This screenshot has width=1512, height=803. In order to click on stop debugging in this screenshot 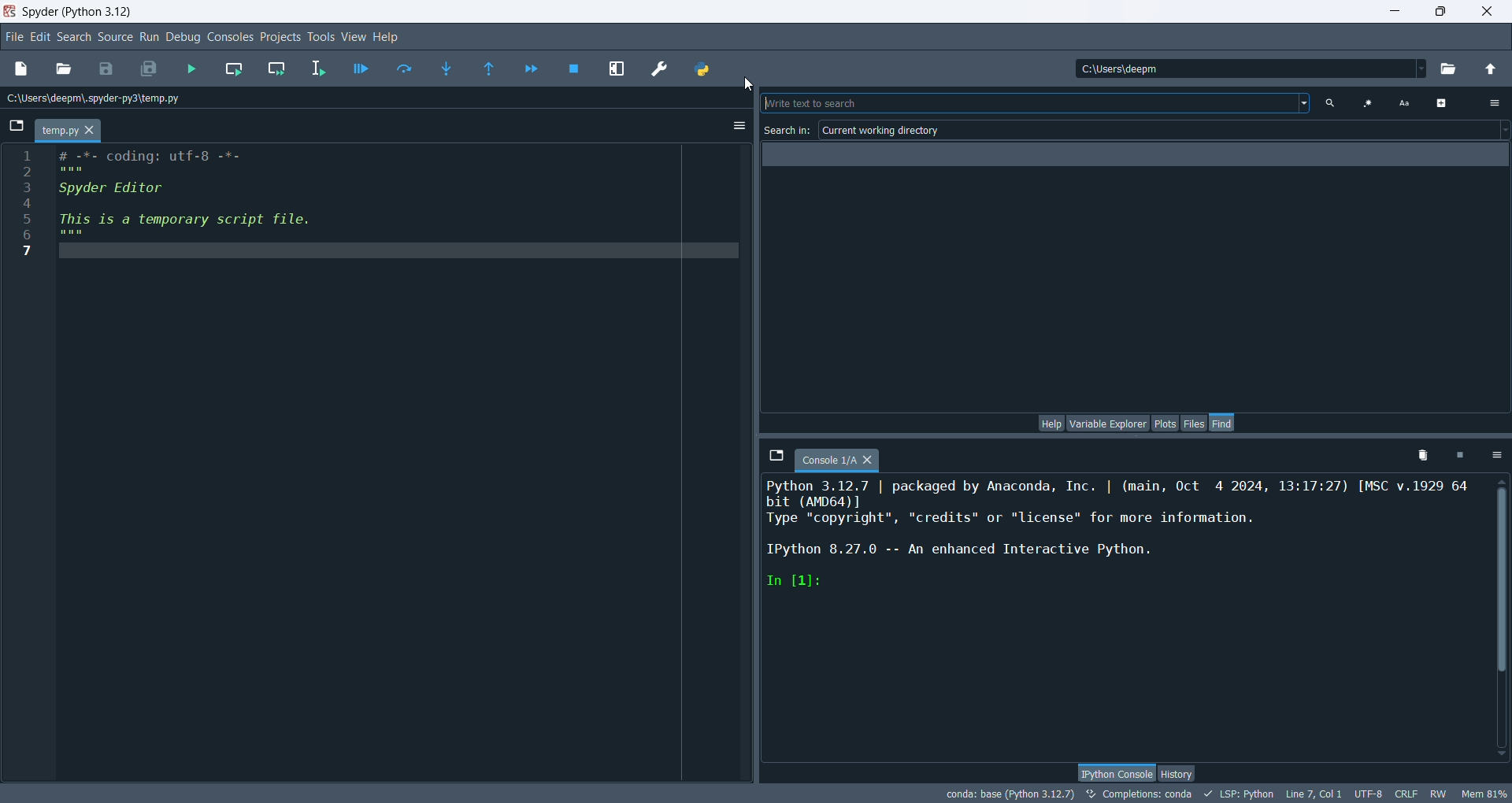, I will do `click(574, 70)`.